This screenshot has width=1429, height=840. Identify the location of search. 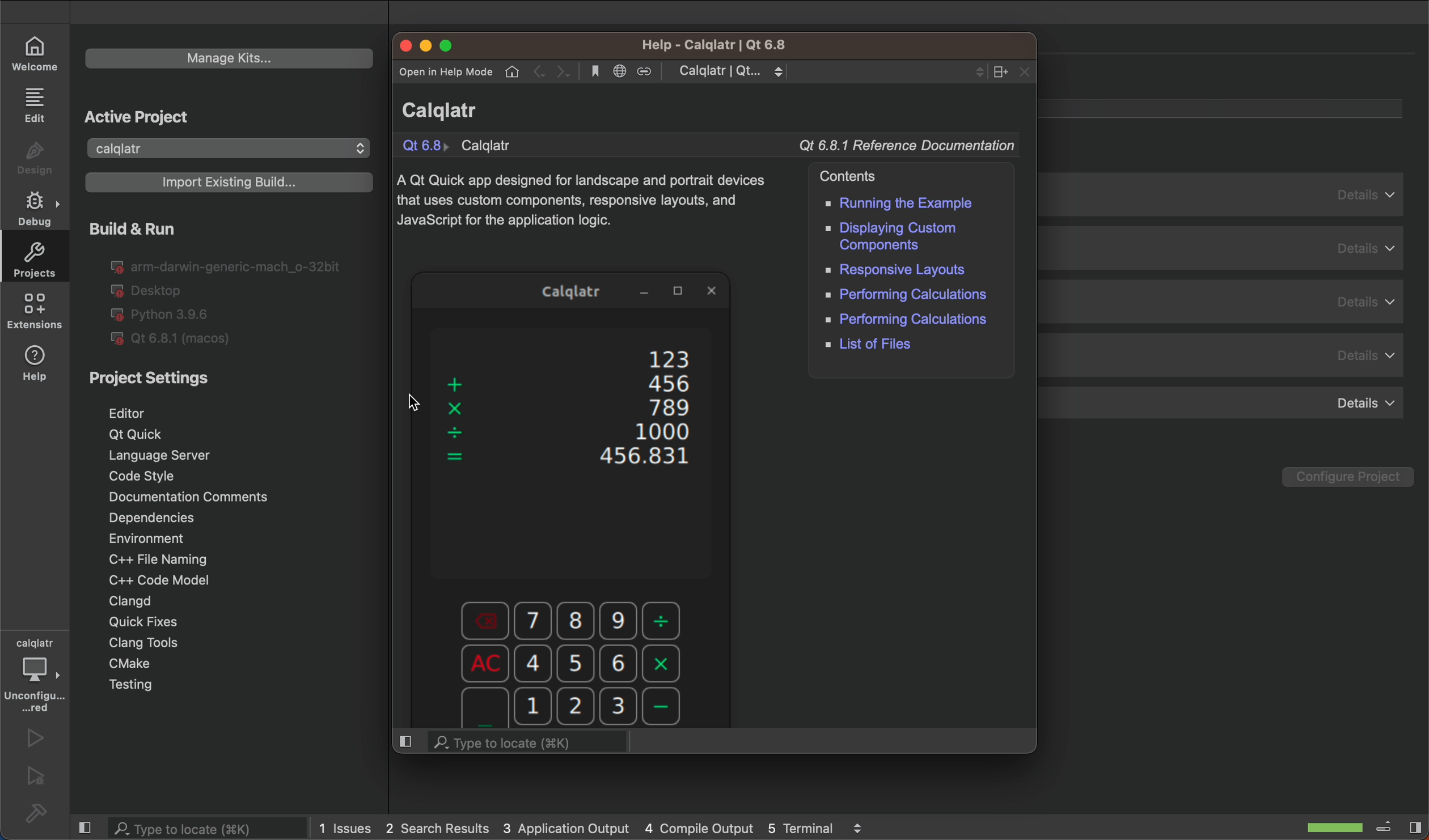
(209, 829).